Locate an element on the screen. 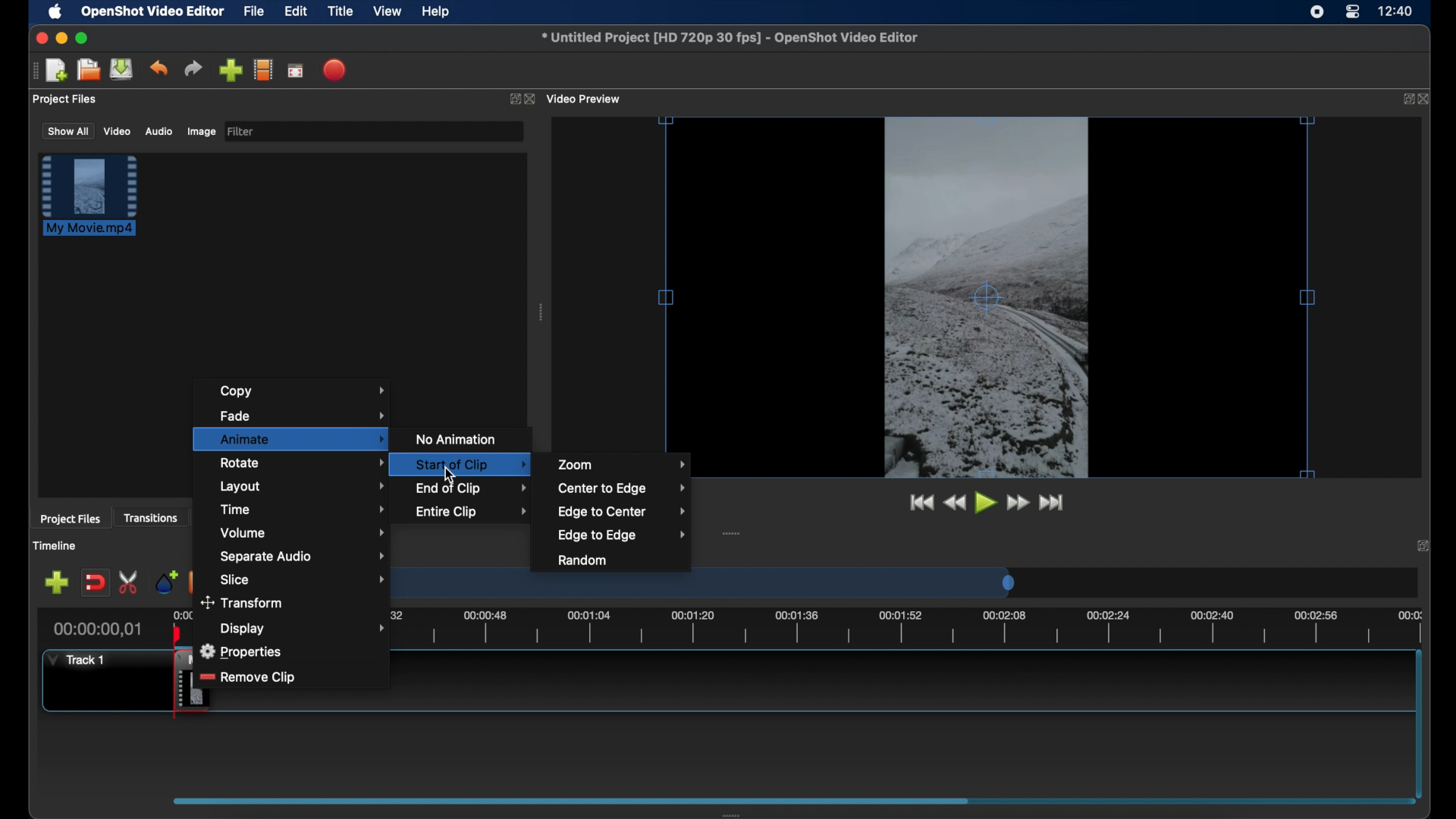  expand is located at coordinates (511, 101).